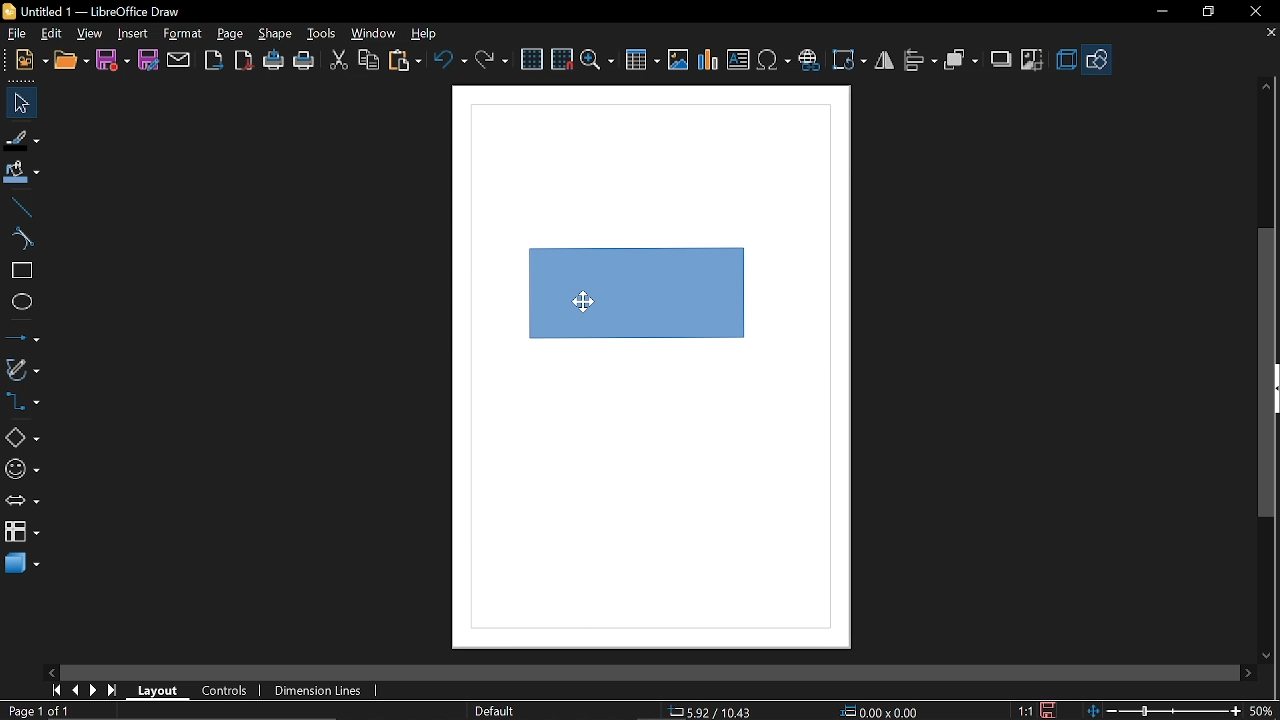 The height and width of the screenshot is (720, 1280). Describe the element at coordinates (276, 35) in the screenshot. I see `shape` at that location.